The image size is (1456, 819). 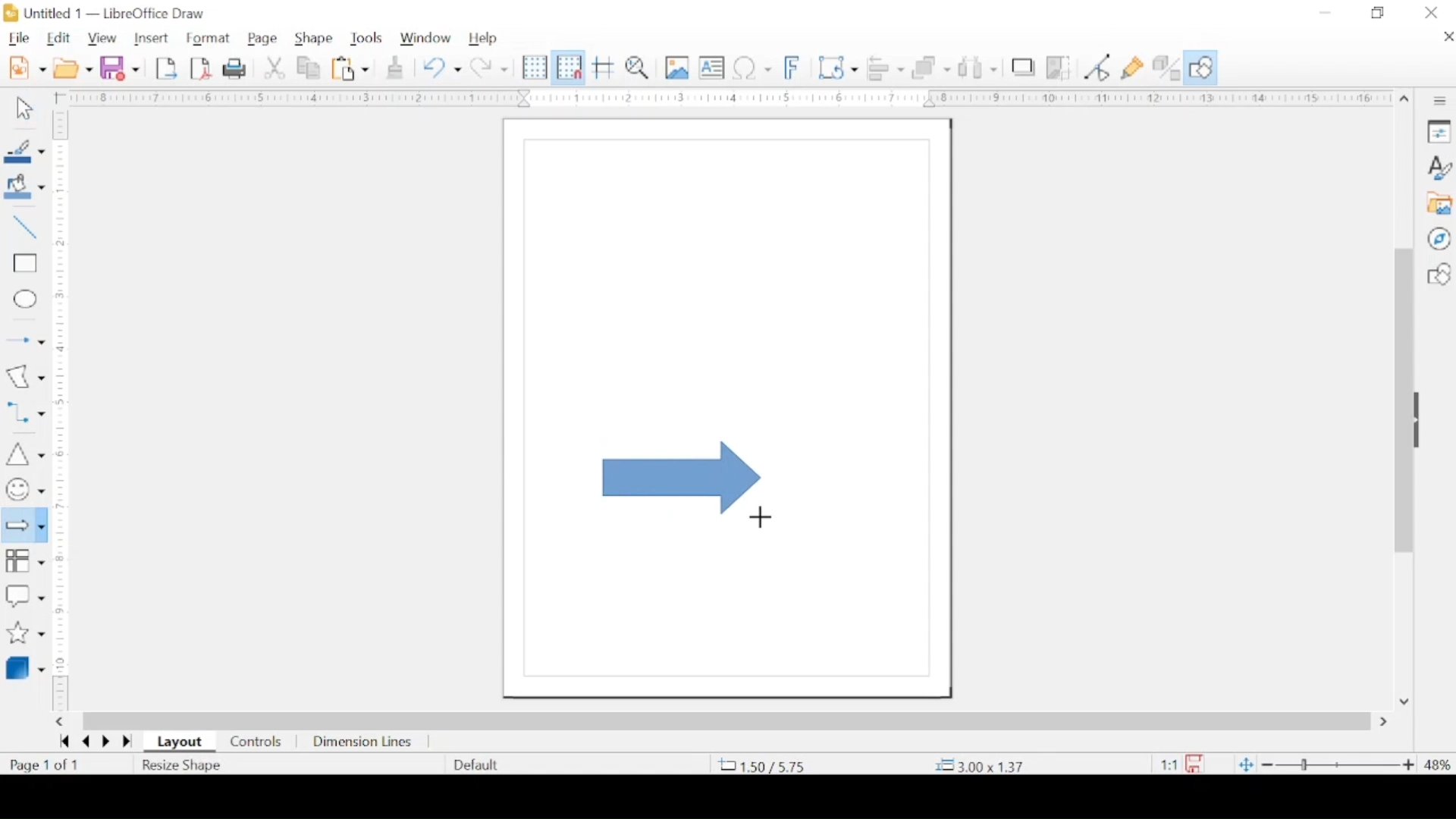 I want to click on help, so click(x=483, y=39).